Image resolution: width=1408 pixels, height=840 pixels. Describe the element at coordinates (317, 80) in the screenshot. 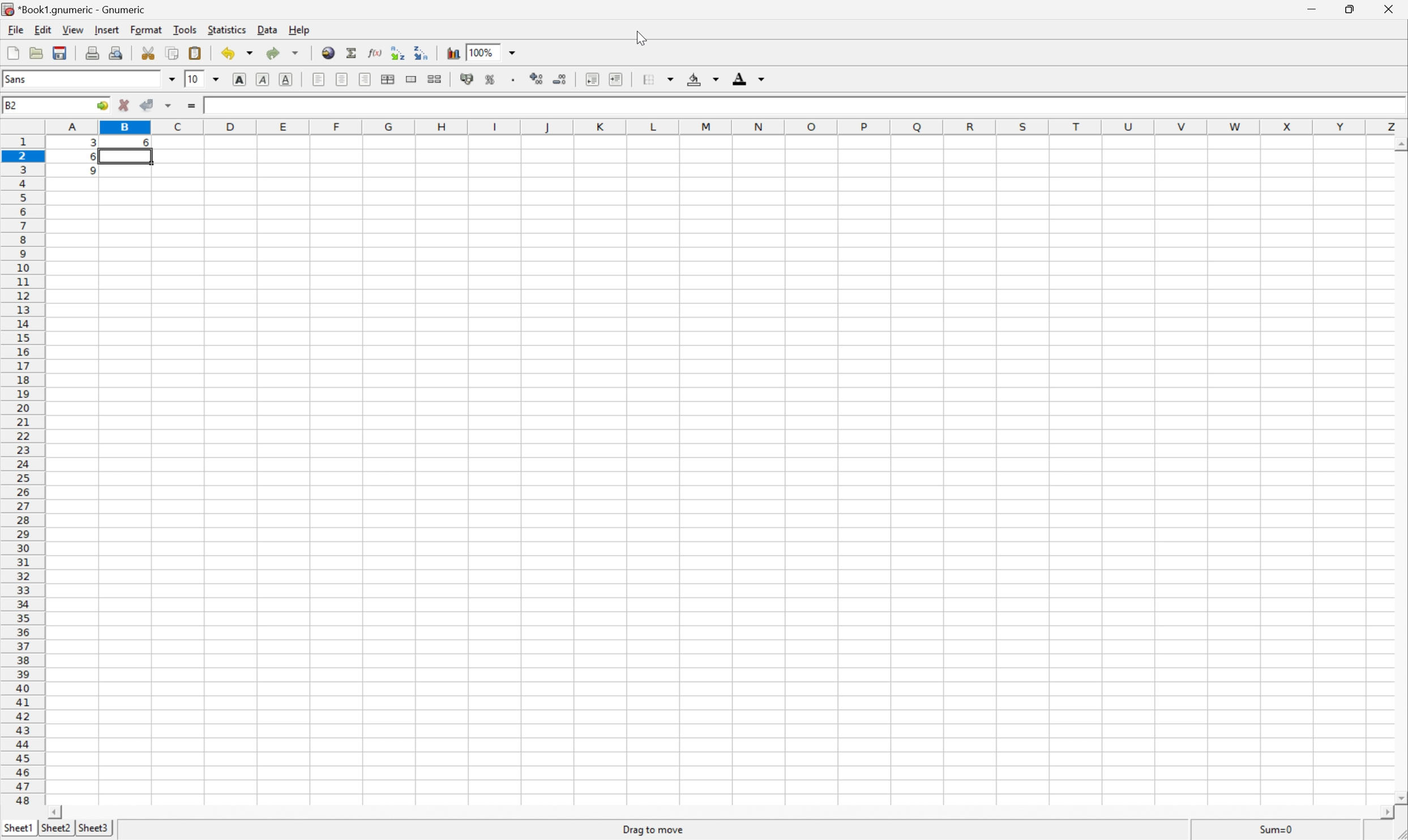

I see `Align Left` at that location.